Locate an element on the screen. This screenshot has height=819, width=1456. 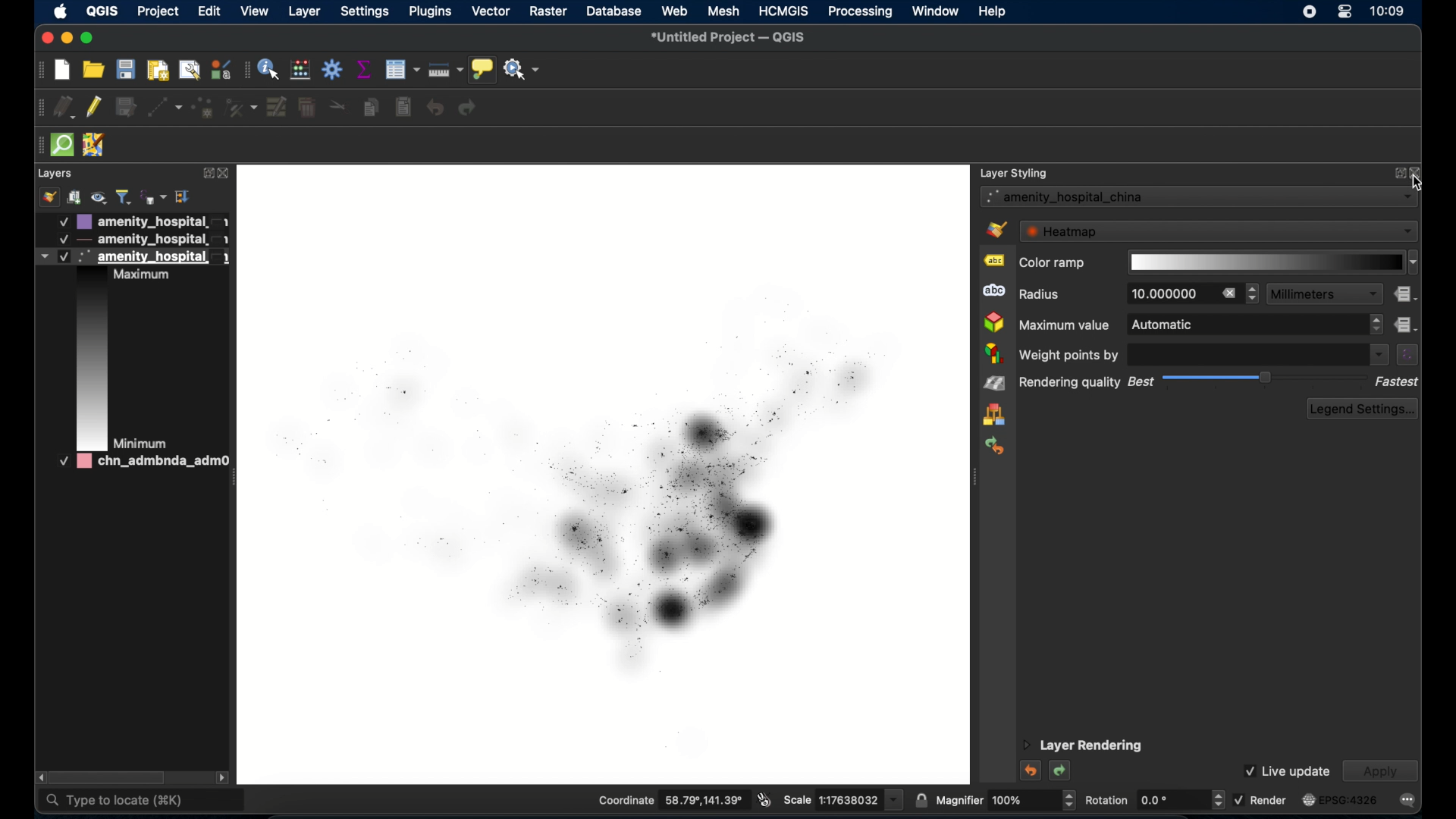
expression builder is located at coordinates (1407, 354).